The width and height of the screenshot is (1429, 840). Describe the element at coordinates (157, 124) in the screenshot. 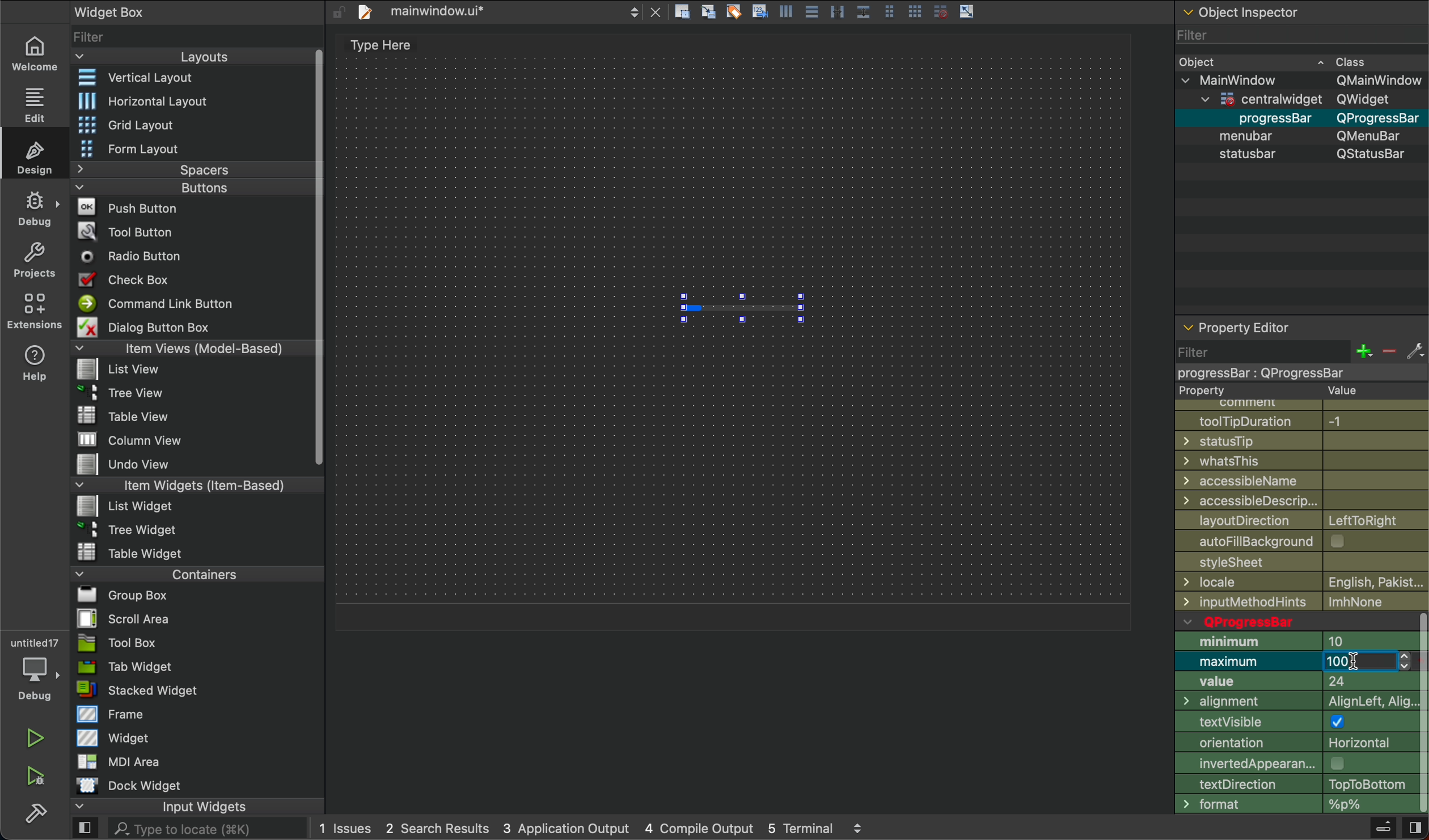

I see `Grid Layout` at that location.